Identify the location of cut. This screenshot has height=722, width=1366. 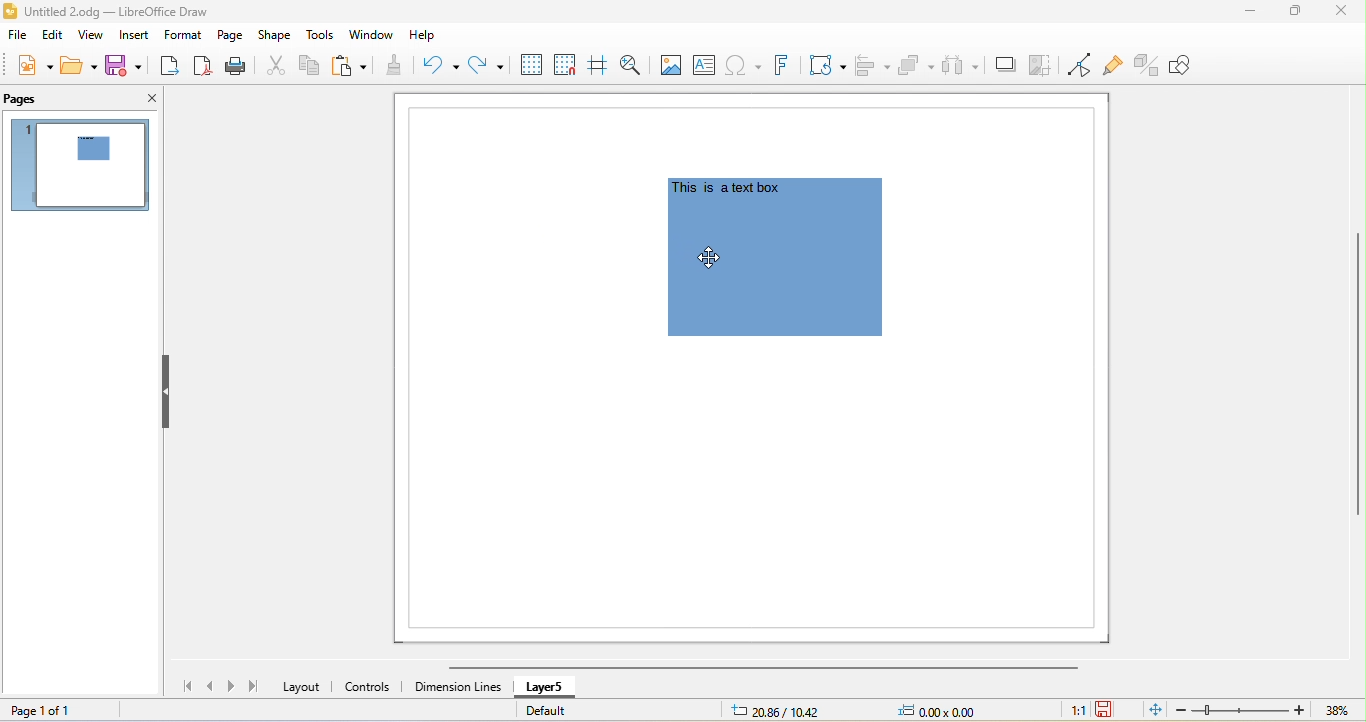
(275, 66).